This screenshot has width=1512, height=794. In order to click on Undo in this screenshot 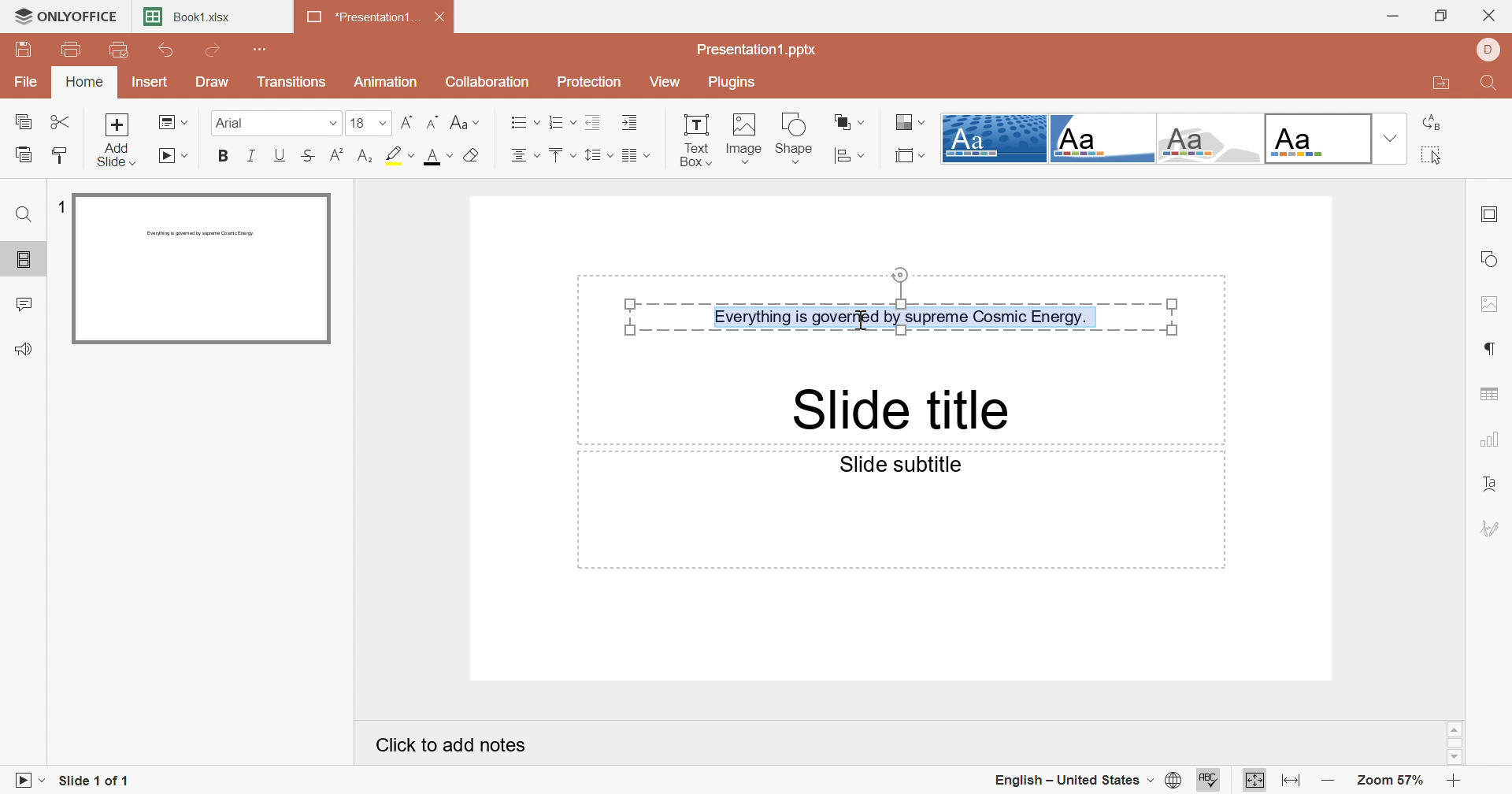, I will do `click(168, 51)`.